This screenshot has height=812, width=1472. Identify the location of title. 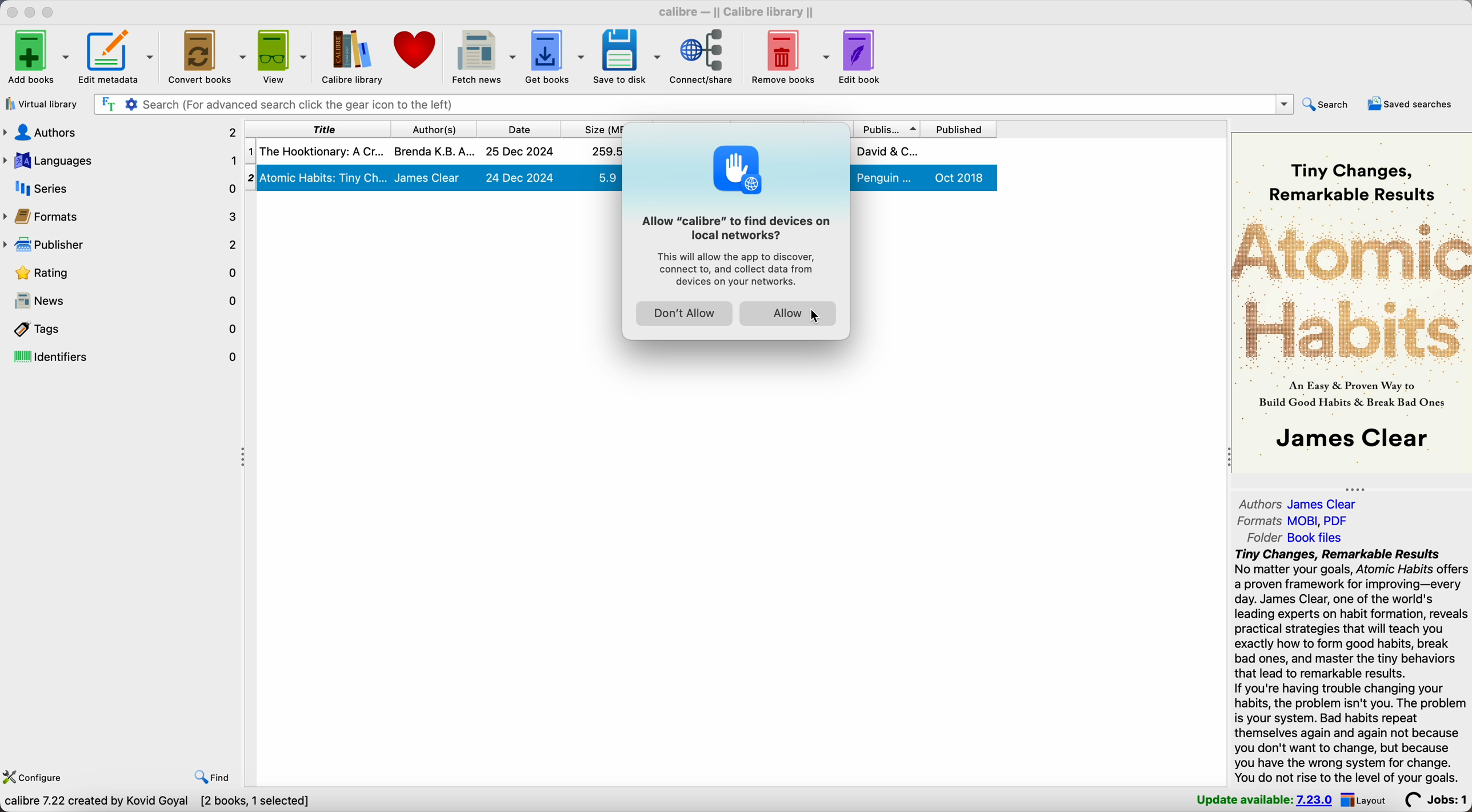
(321, 129).